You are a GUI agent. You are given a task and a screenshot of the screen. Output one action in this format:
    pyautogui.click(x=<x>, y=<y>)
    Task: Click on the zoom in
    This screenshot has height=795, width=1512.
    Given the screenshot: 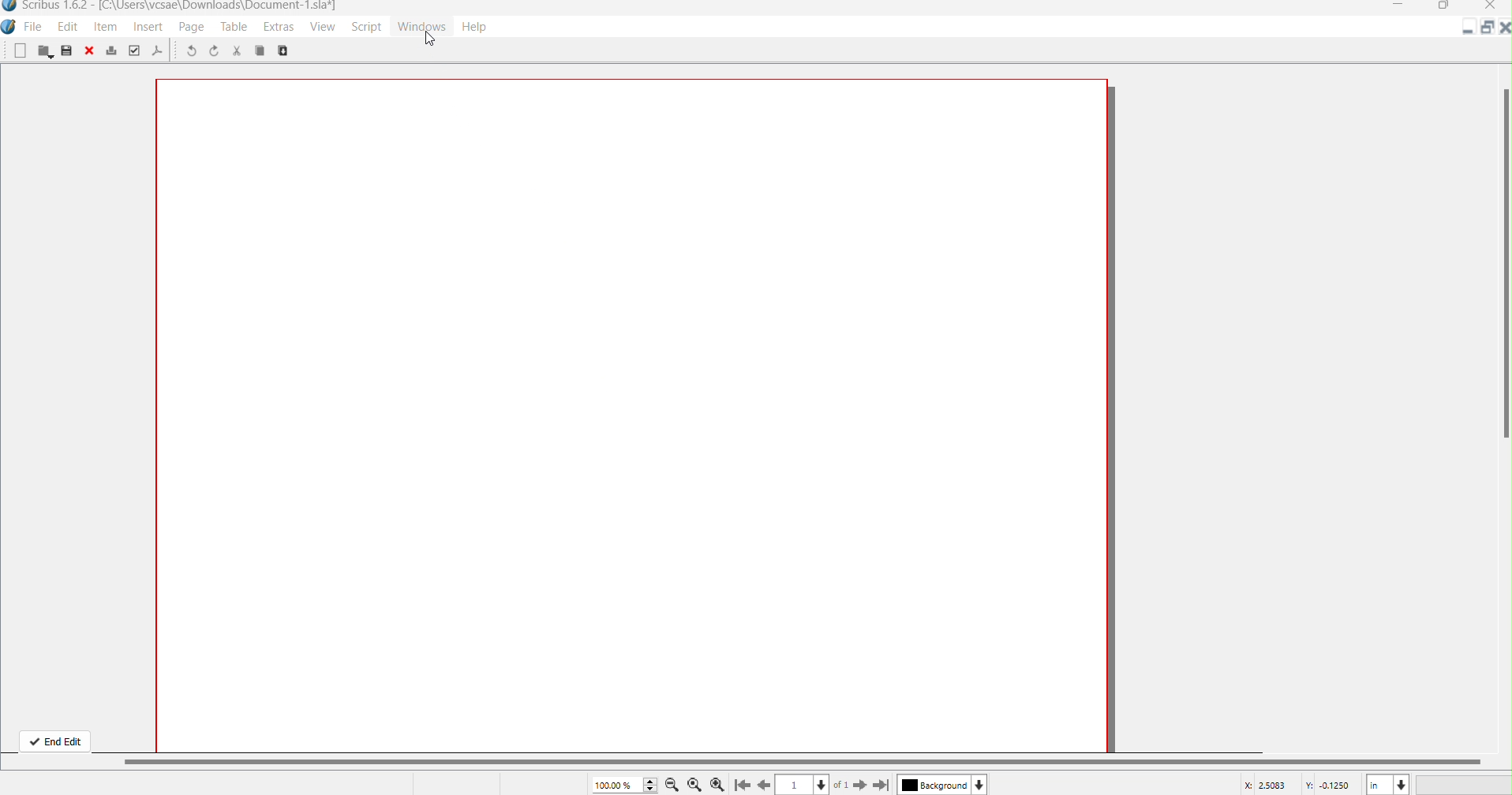 What is the action you would take?
    pyautogui.click(x=718, y=784)
    